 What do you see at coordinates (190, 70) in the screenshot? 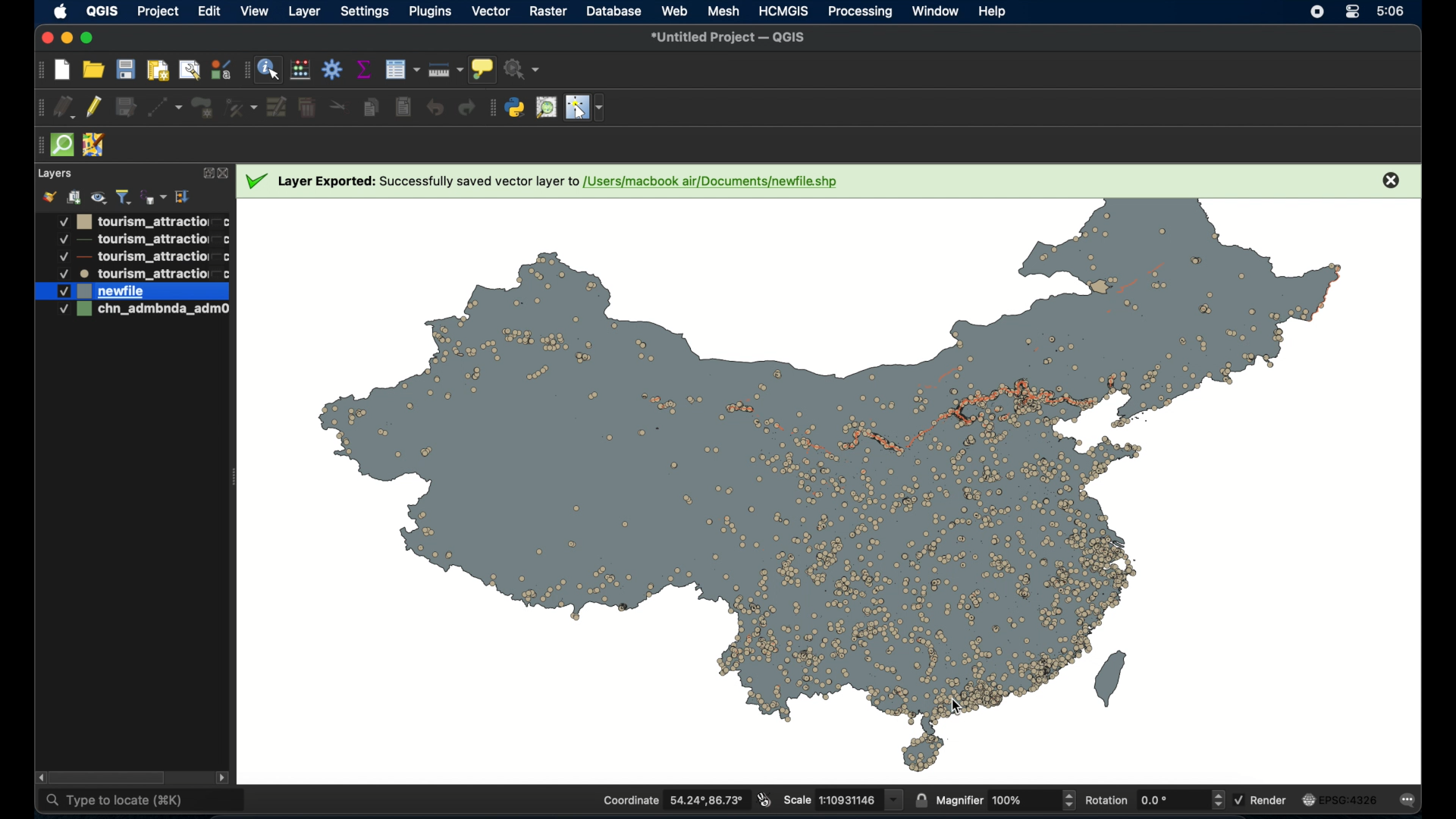
I see `open layout manager` at bounding box center [190, 70].